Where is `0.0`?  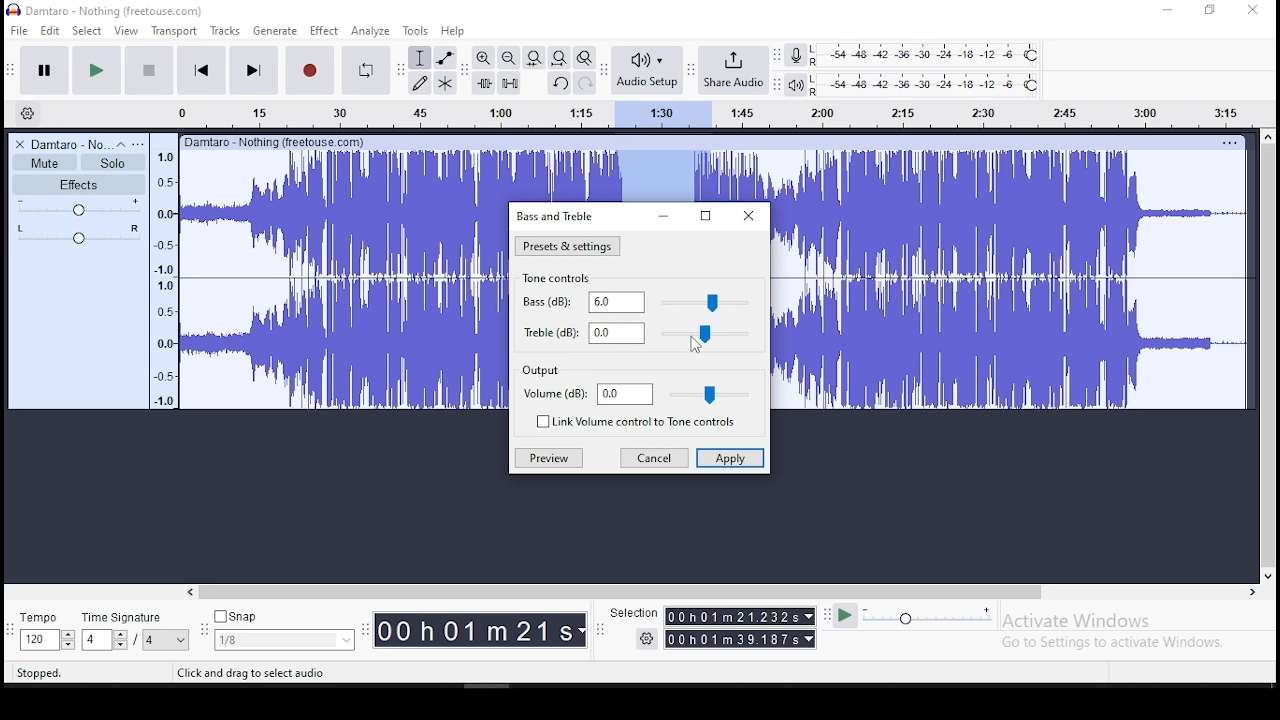 0.0 is located at coordinates (625, 394).